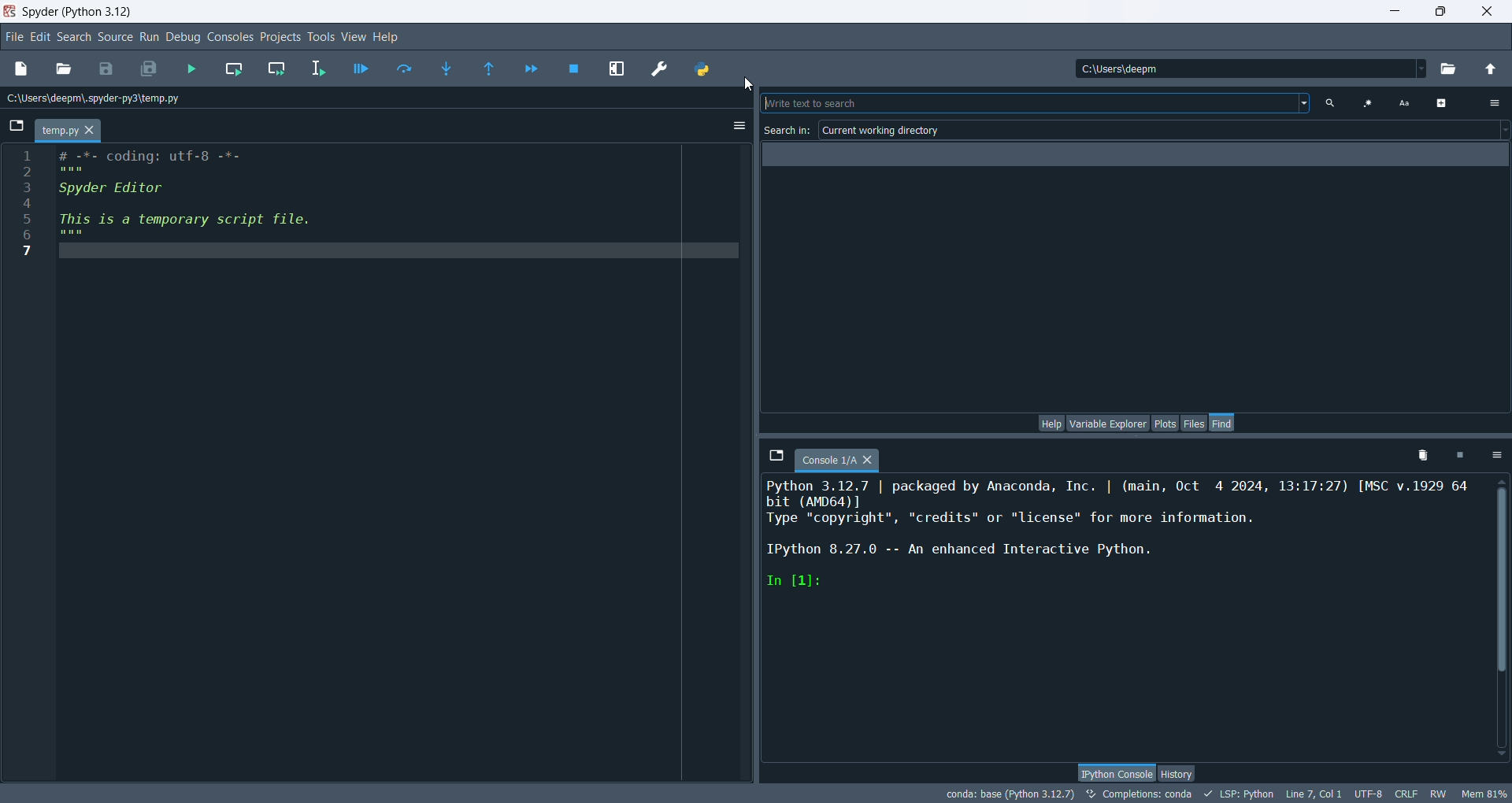 Image resolution: width=1512 pixels, height=803 pixels. What do you see at coordinates (15, 124) in the screenshot?
I see `browse tabs` at bounding box center [15, 124].